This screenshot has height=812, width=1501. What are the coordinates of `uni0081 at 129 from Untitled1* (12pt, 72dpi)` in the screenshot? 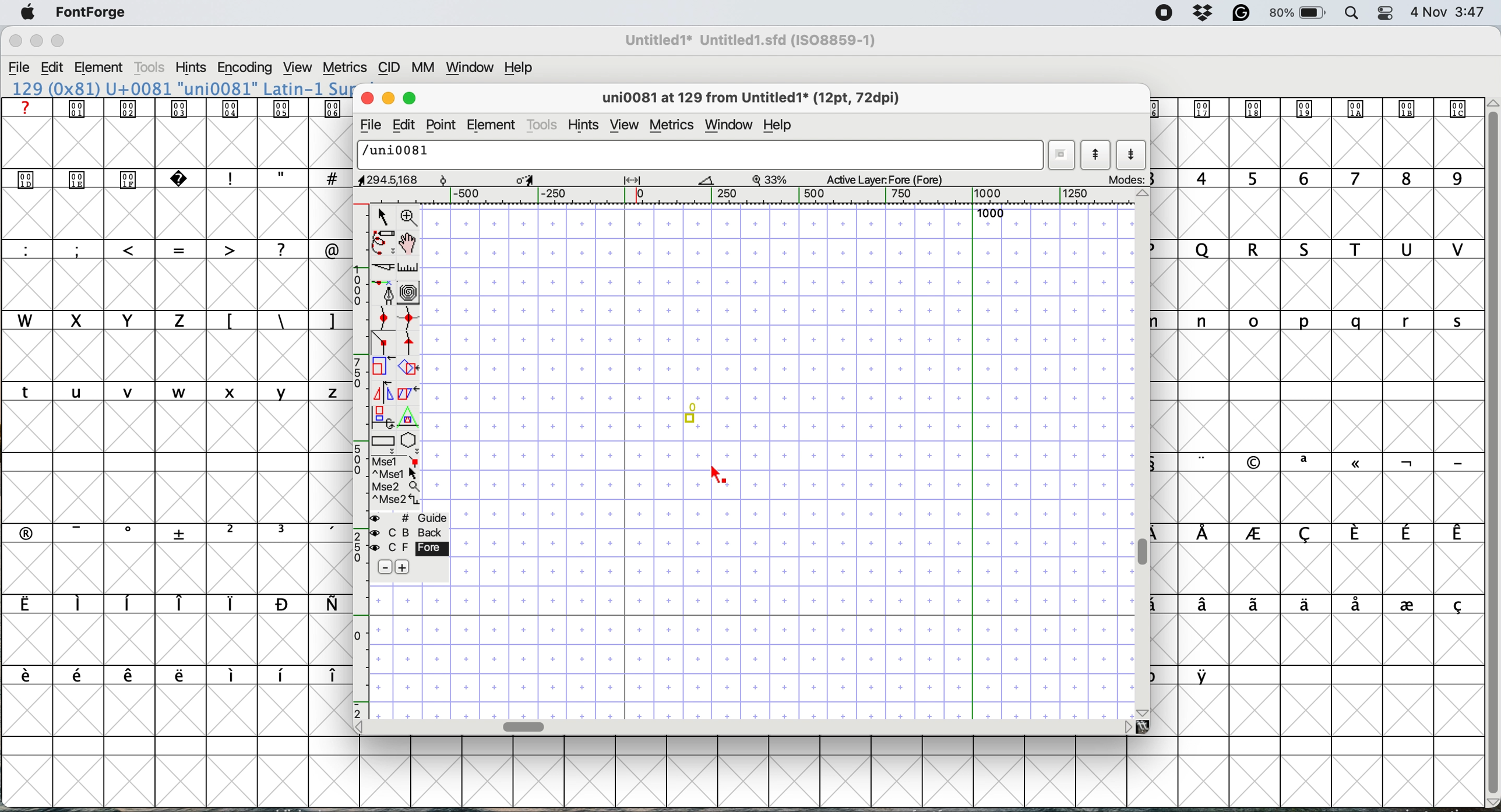 It's located at (755, 97).